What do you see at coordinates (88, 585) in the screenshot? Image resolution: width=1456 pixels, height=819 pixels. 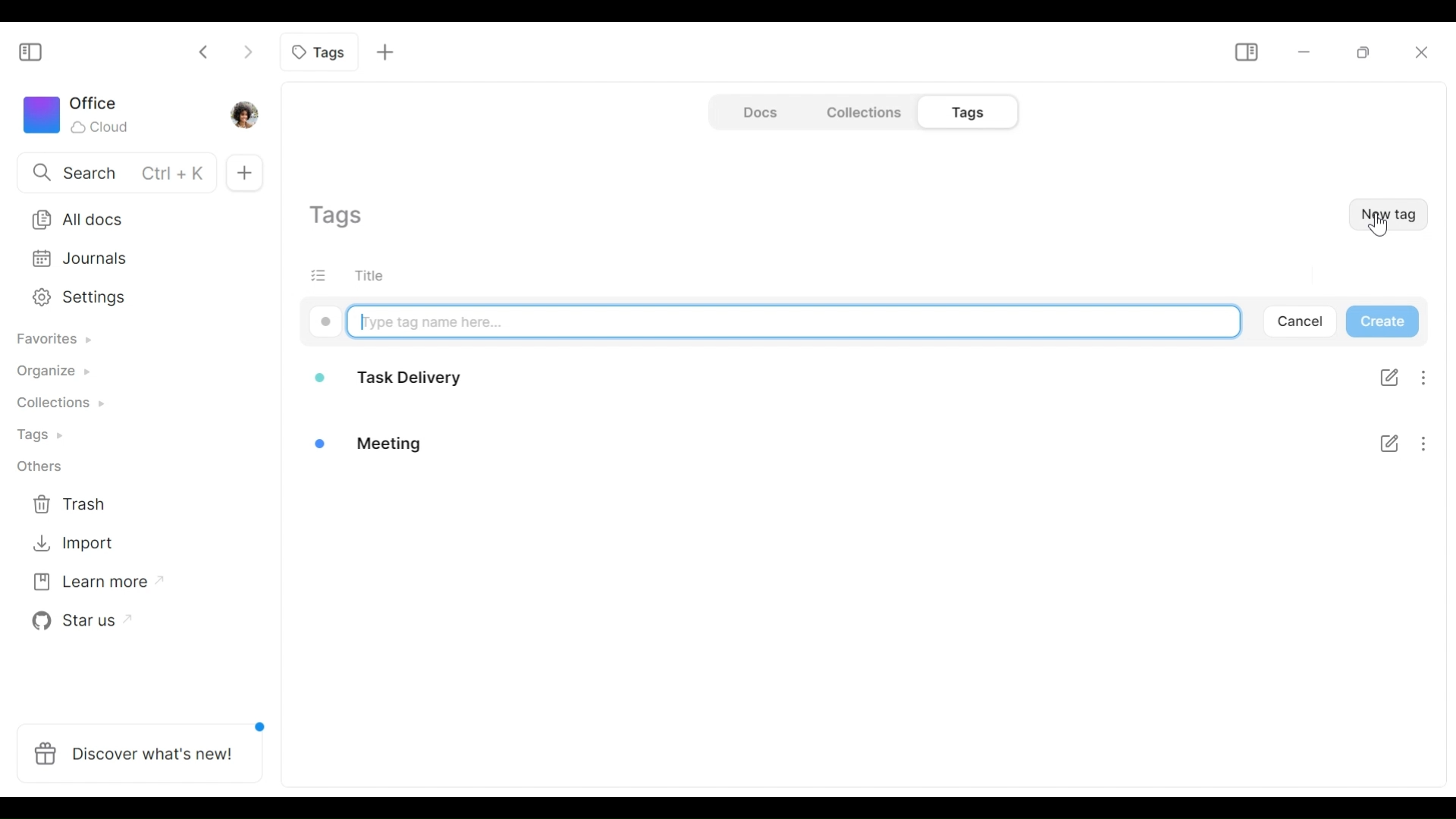 I see `Learn more` at bounding box center [88, 585].